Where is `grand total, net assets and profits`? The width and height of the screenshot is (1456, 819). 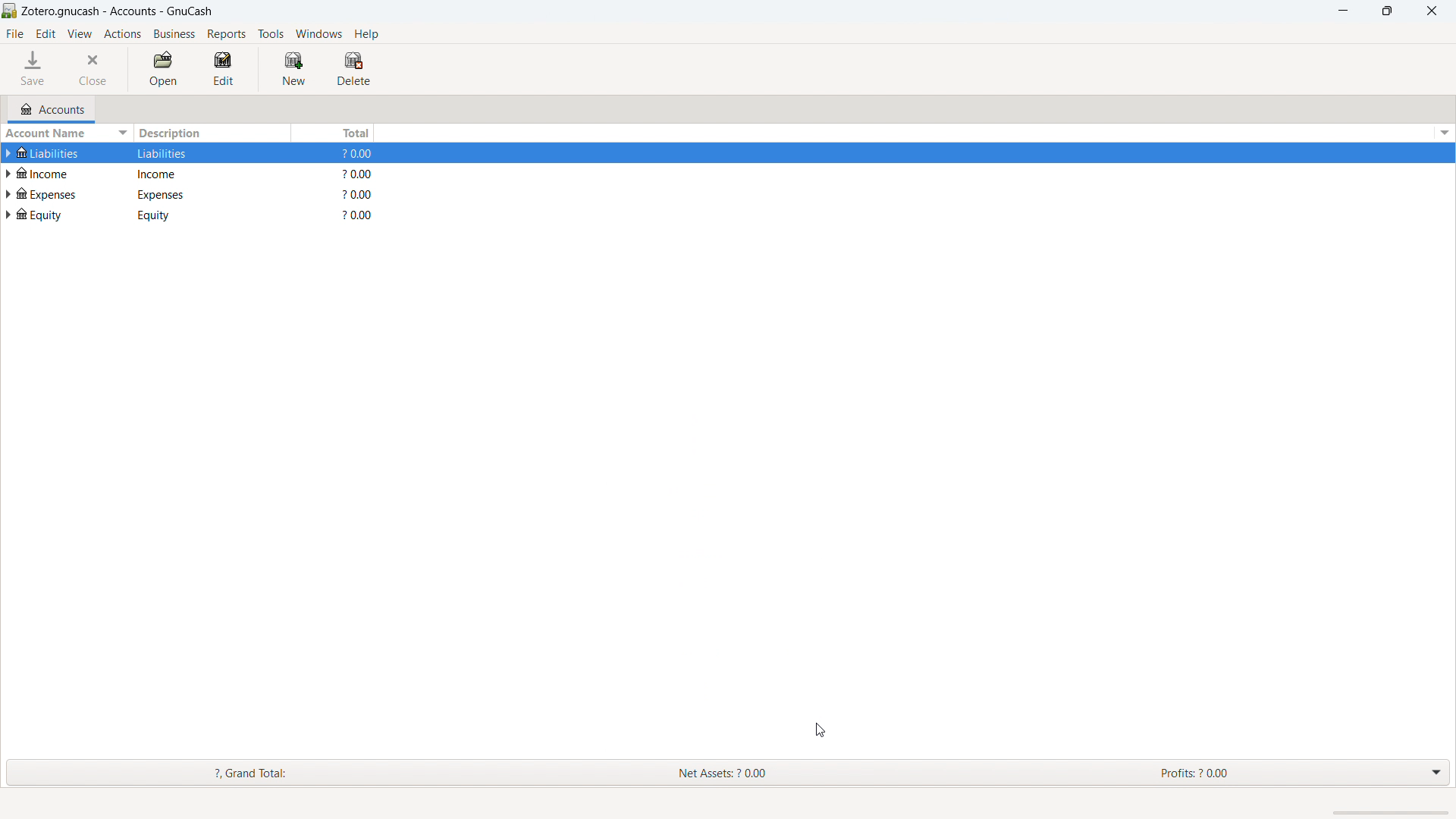 grand total, net assets and profits is located at coordinates (728, 773).